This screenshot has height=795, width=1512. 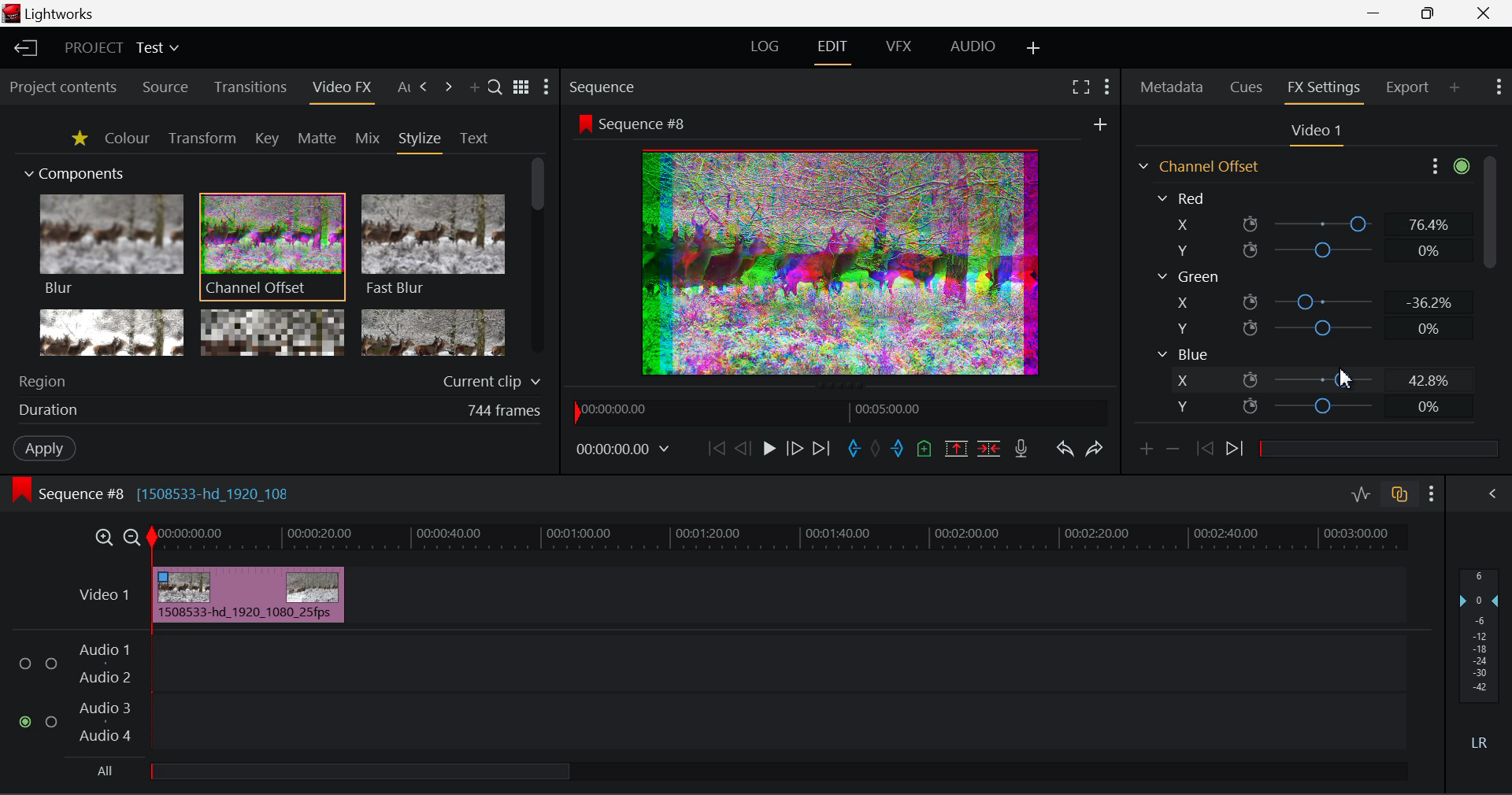 What do you see at coordinates (1483, 14) in the screenshot?
I see `Close` at bounding box center [1483, 14].